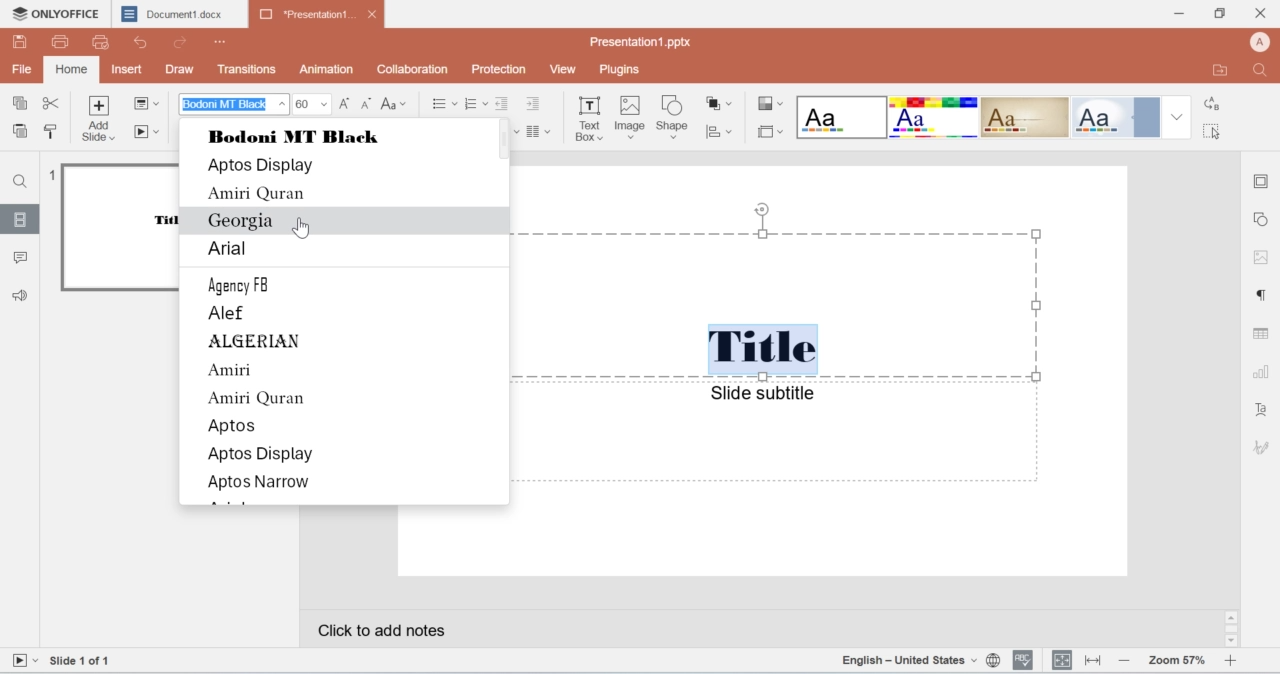  What do you see at coordinates (231, 372) in the screenshot?
I see `Amin` at bounding box center [231, 372].